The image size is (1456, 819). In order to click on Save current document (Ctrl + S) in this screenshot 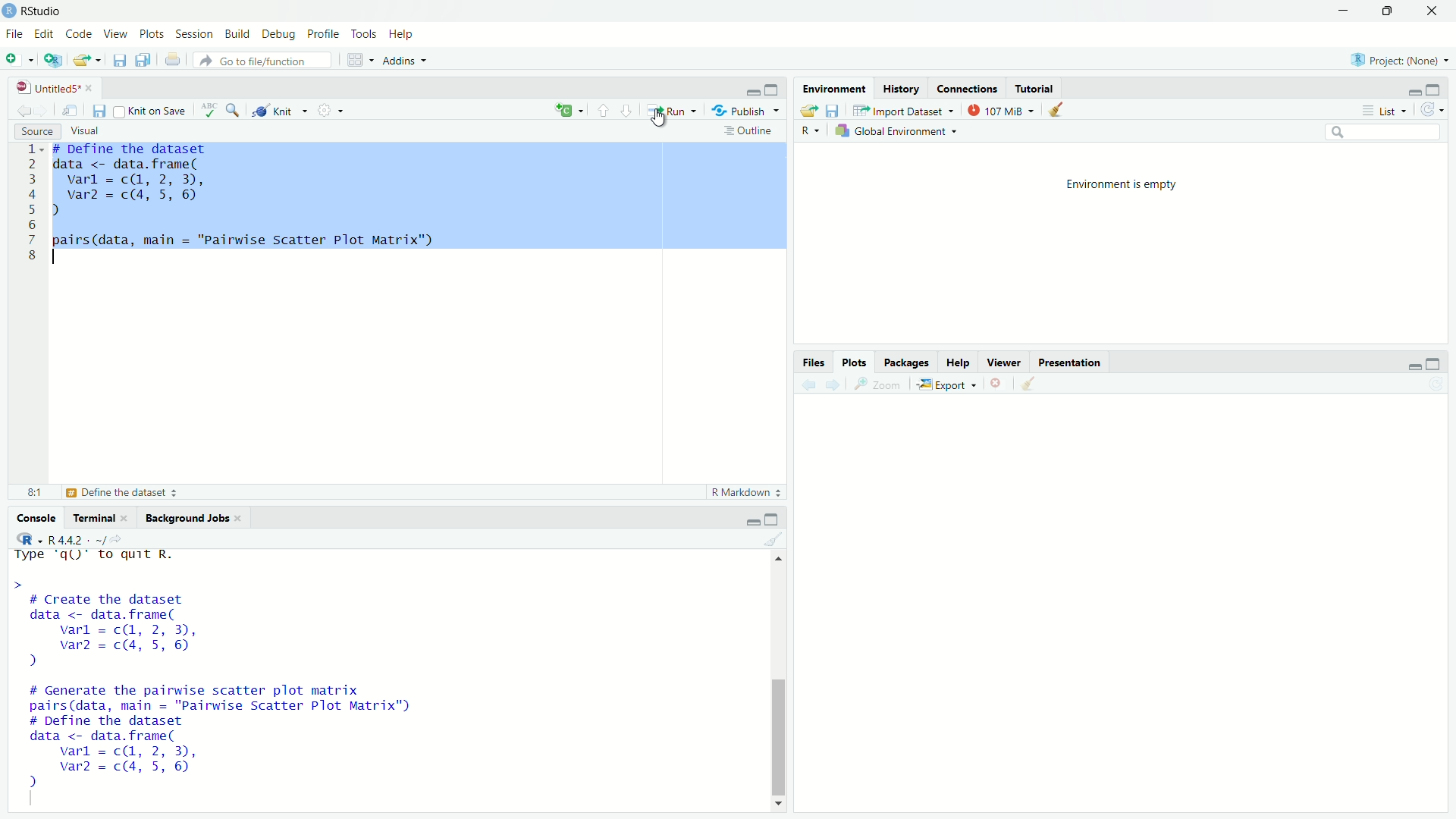, I will do `click(101, 109)`.